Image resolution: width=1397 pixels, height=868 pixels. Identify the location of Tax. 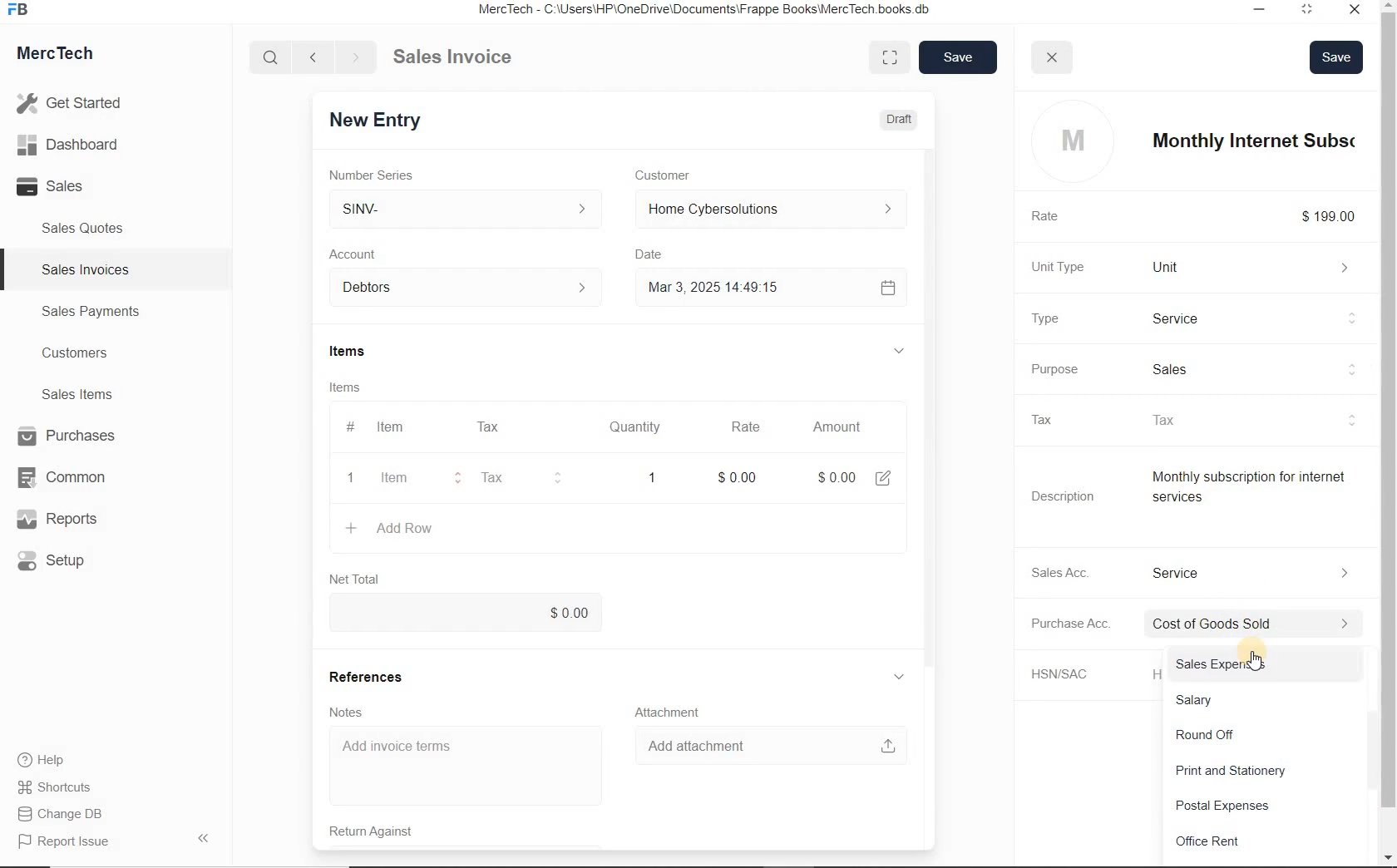
(496, 427).